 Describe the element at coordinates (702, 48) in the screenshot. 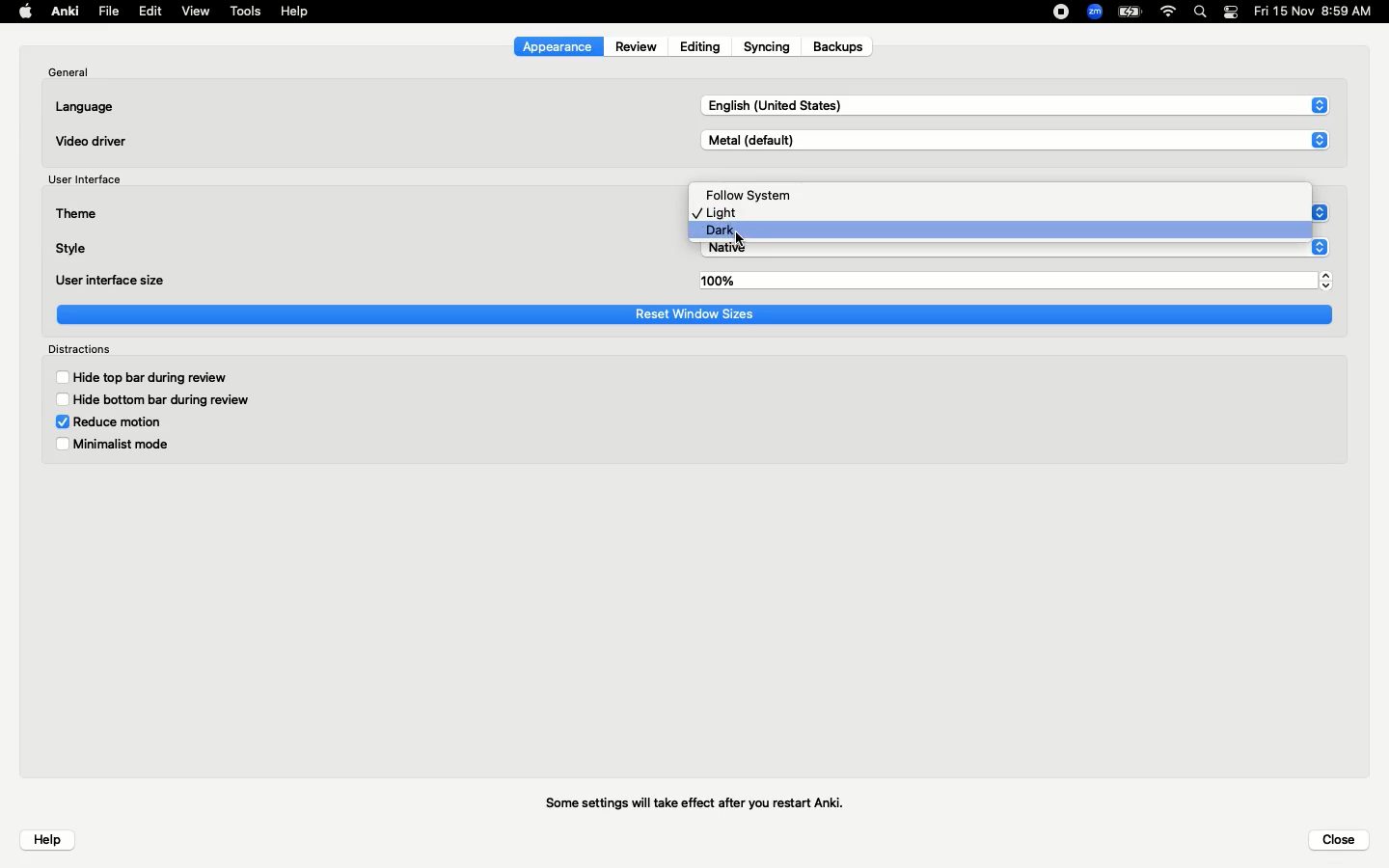

I see `Editing` at that location.